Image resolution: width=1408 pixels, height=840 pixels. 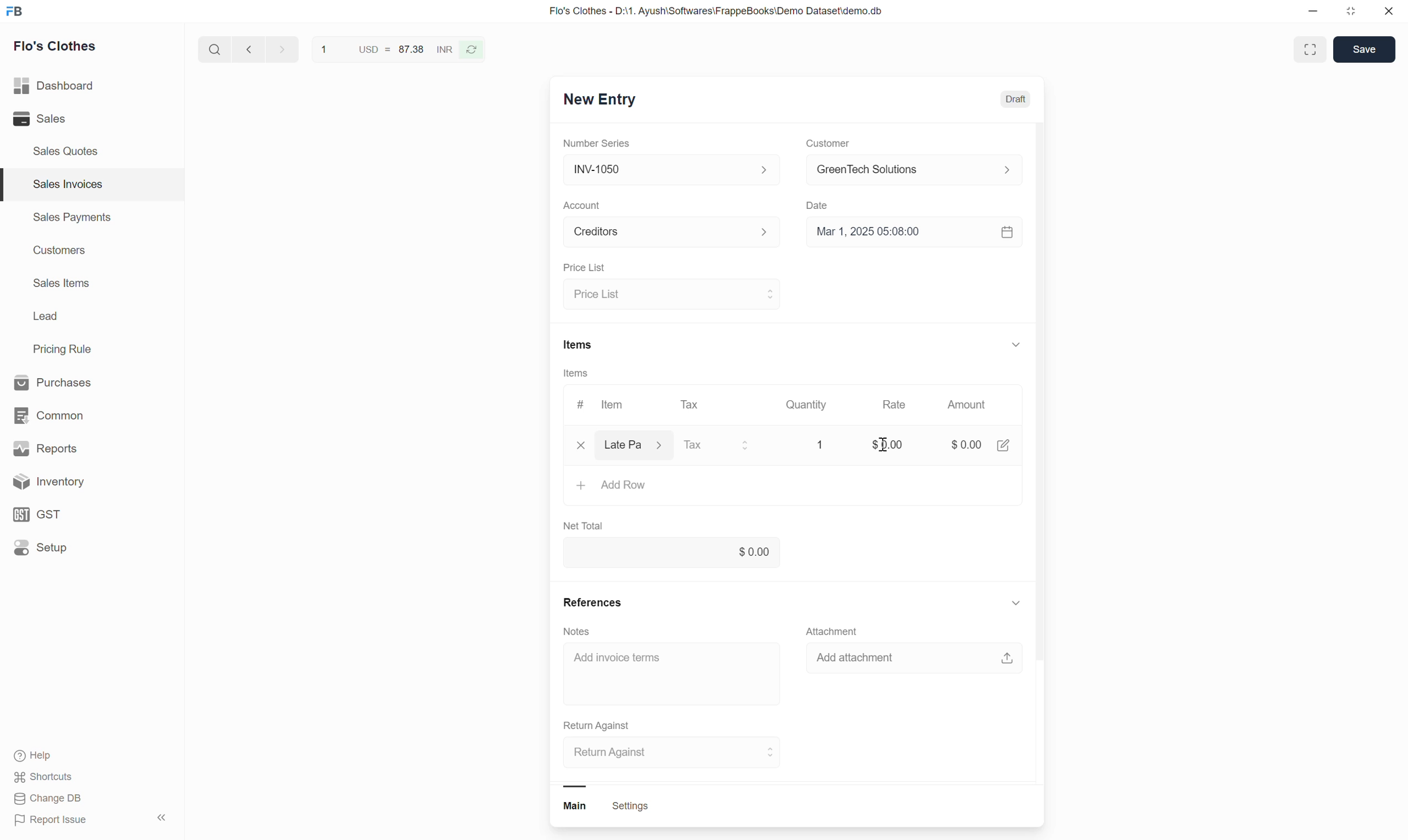 I want to click on Sales Payments, so click(x=71, y=219).